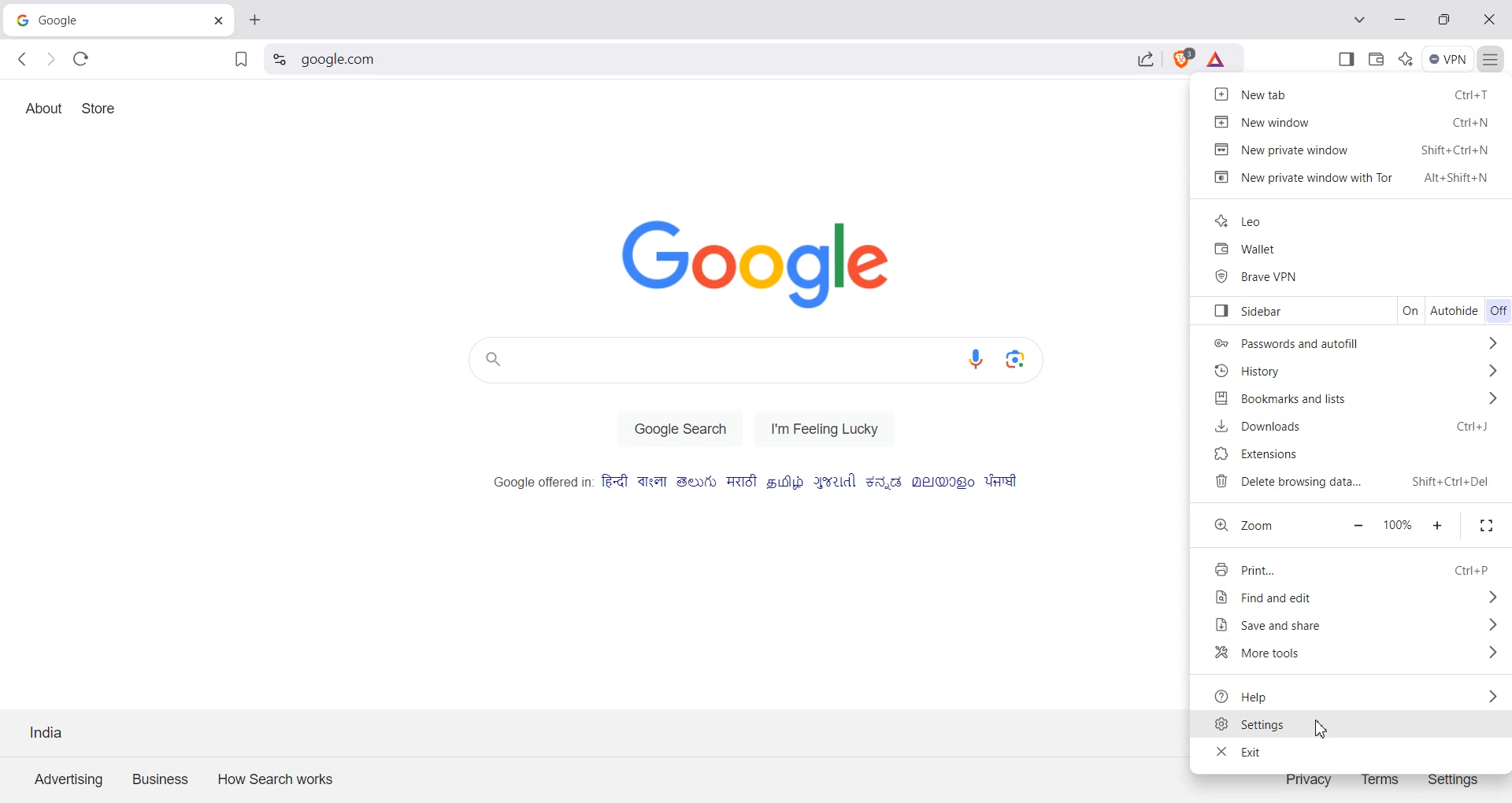  What do you see at coordinates (161, 777) in the screenshot?
I see `Business` at bounding box center [161, 777].